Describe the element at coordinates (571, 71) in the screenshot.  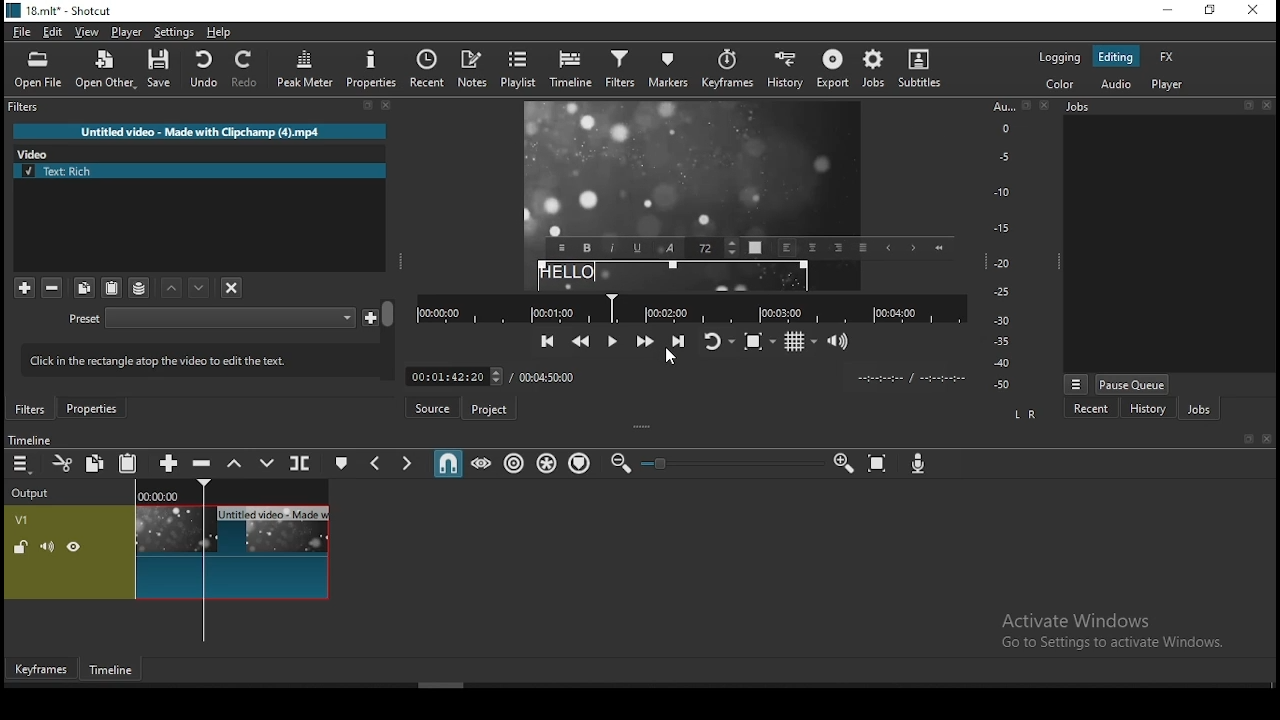
I see `timeline` at that location.